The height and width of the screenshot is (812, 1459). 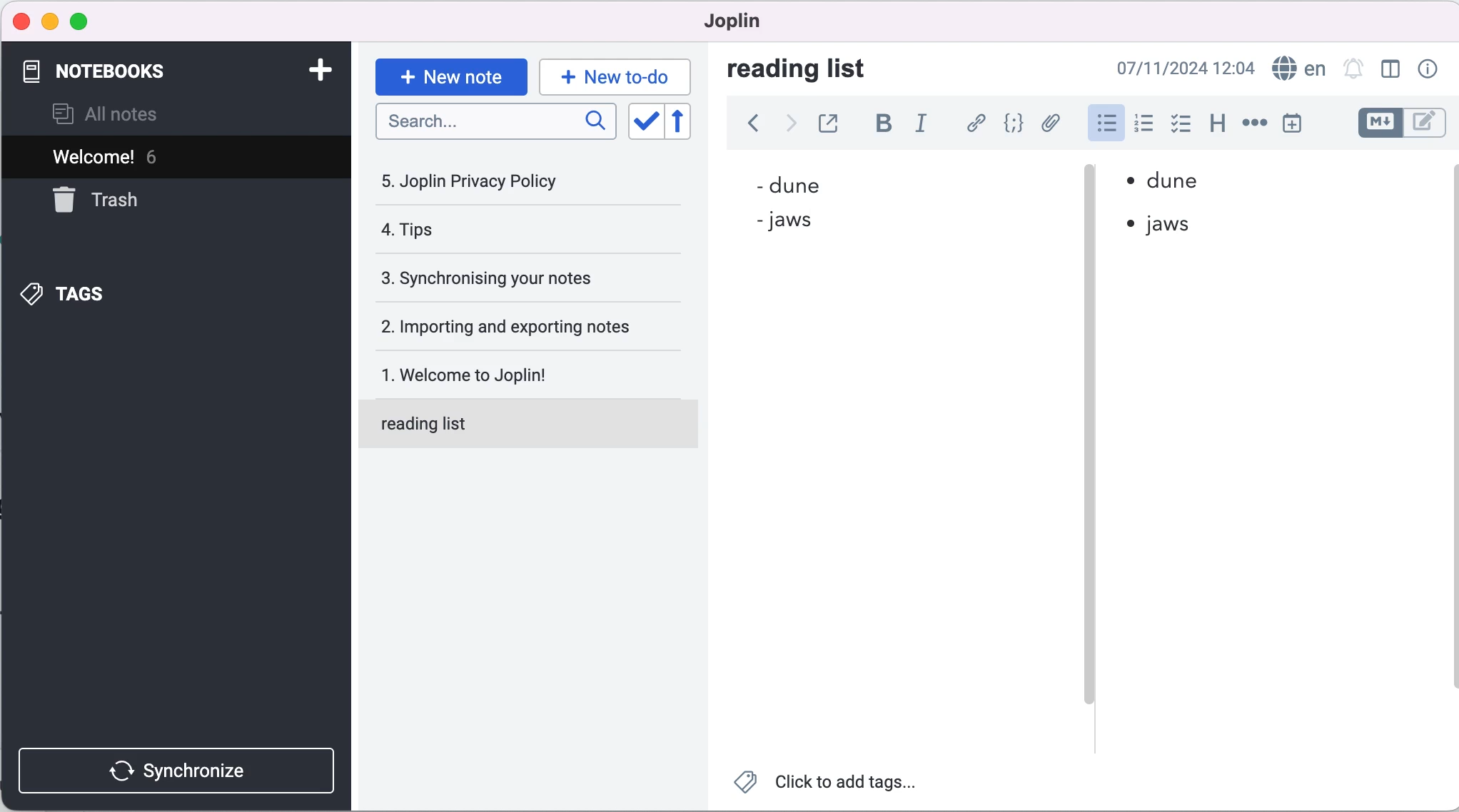 I want to click on close, so click(x=22, y=19).